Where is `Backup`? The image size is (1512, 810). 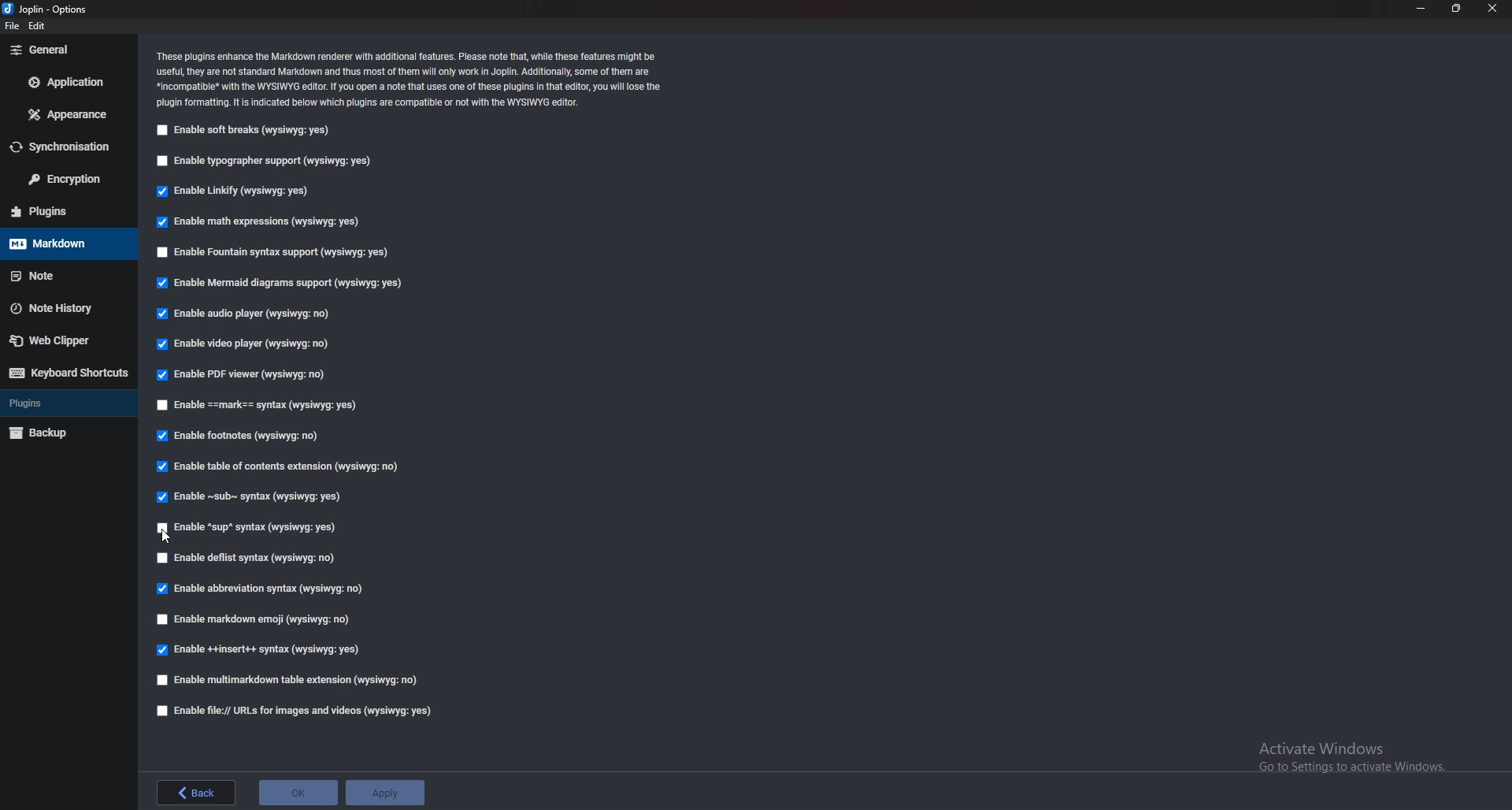 Backup is located at coordinates (66, 433).